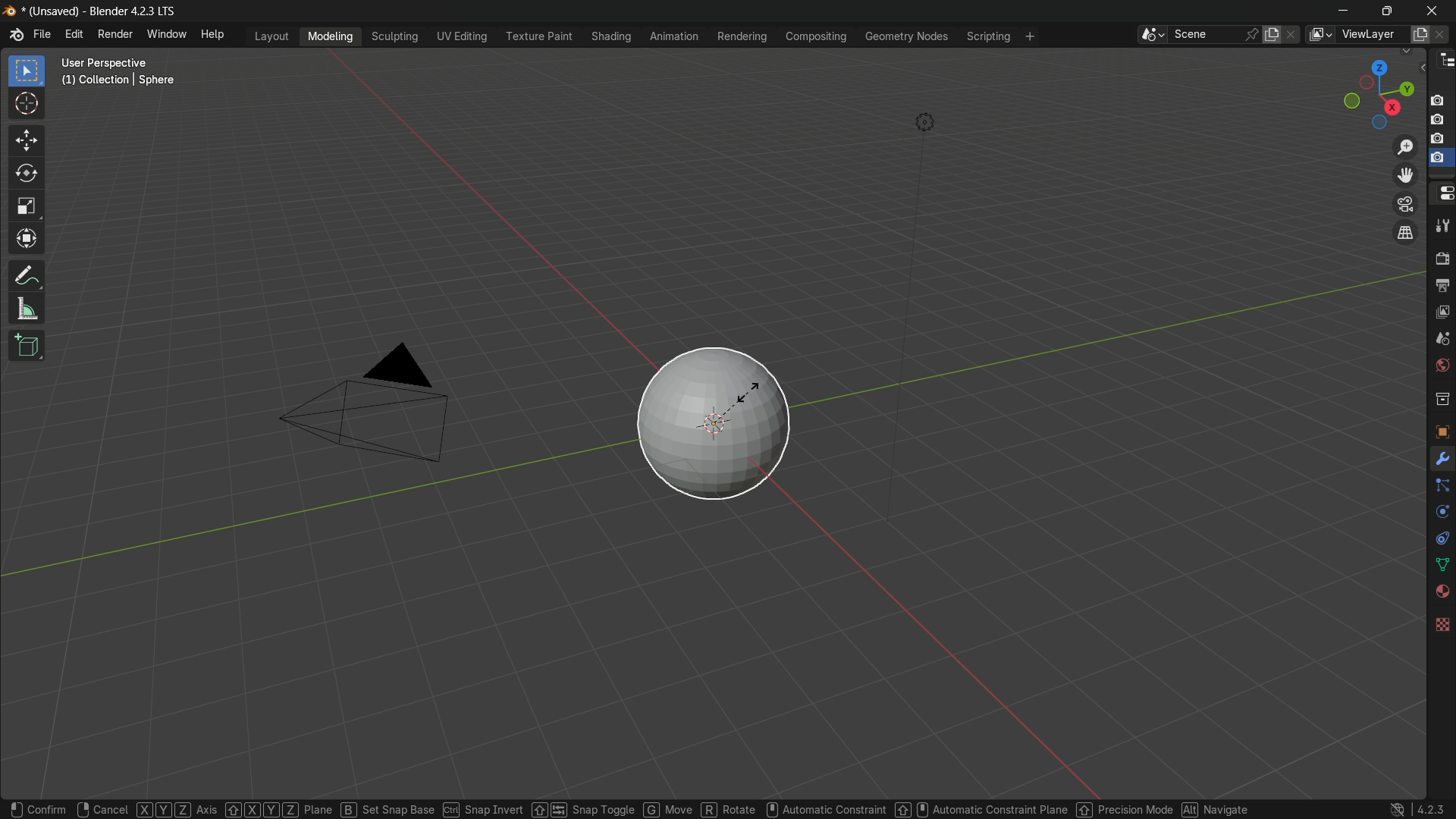 This screenshot has height=819, width=1456. What do you see at coordinates (1370, 95) in the screenshot?
I see `rotate or preset viewpoint` at bounding box center [1370, 95].